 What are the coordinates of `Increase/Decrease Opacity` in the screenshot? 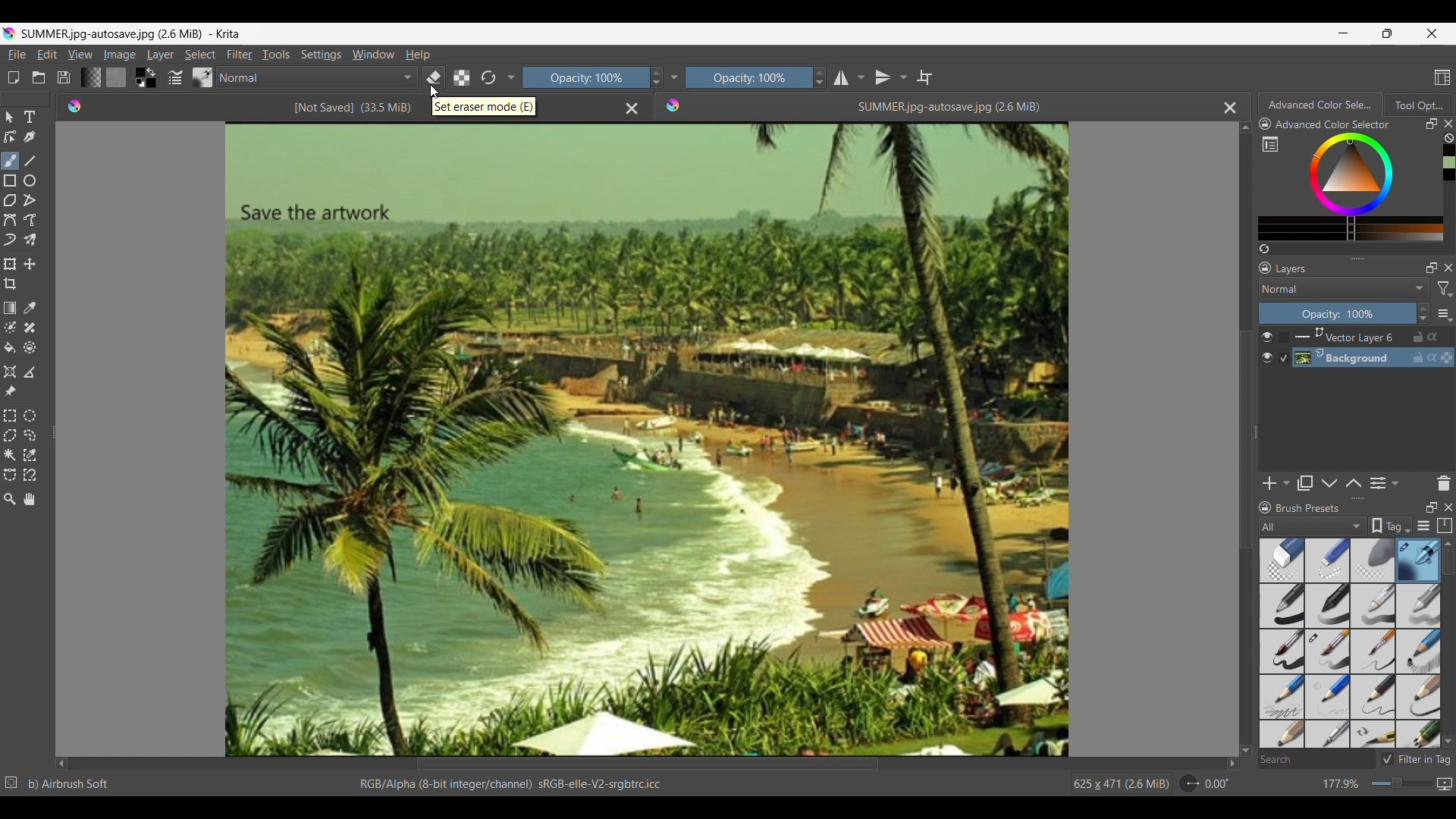 It's located at (654, 78).